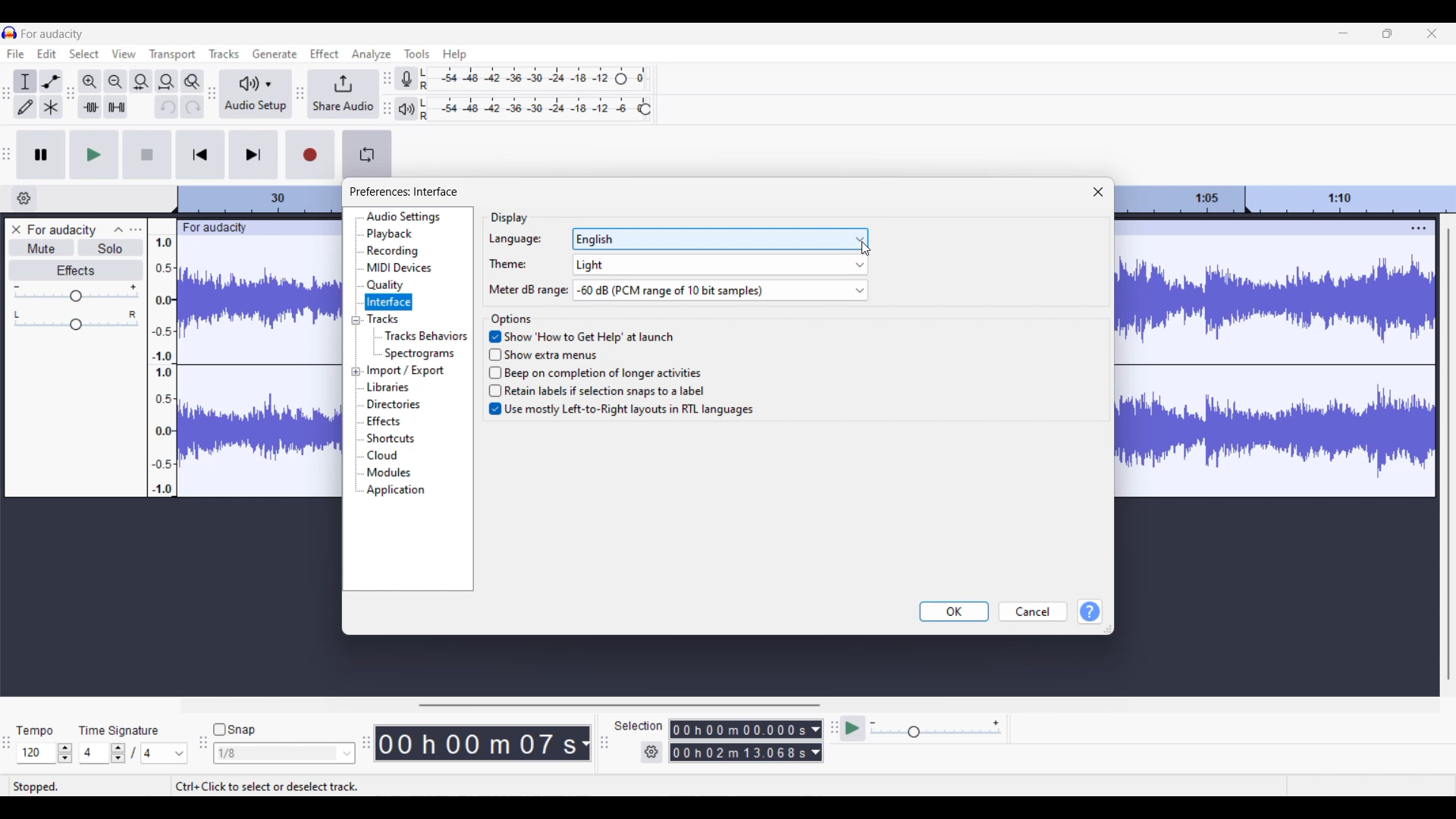 This screenshot has width=1456, height=819. I want to click on Snap toggle, so click(234, 730).